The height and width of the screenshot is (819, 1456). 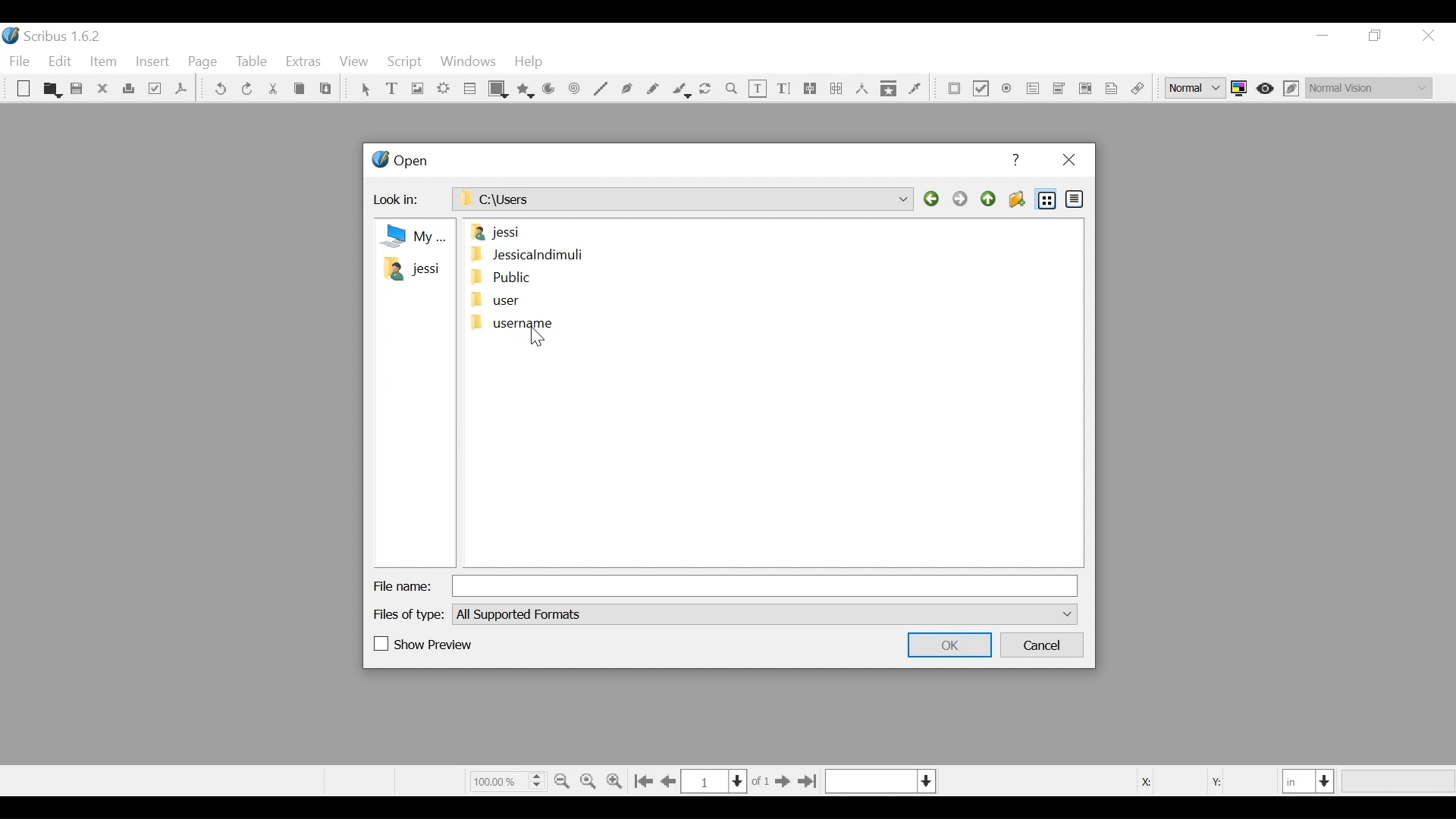 I want to click on Select the image preview quality, so click(x=1197, y=88).